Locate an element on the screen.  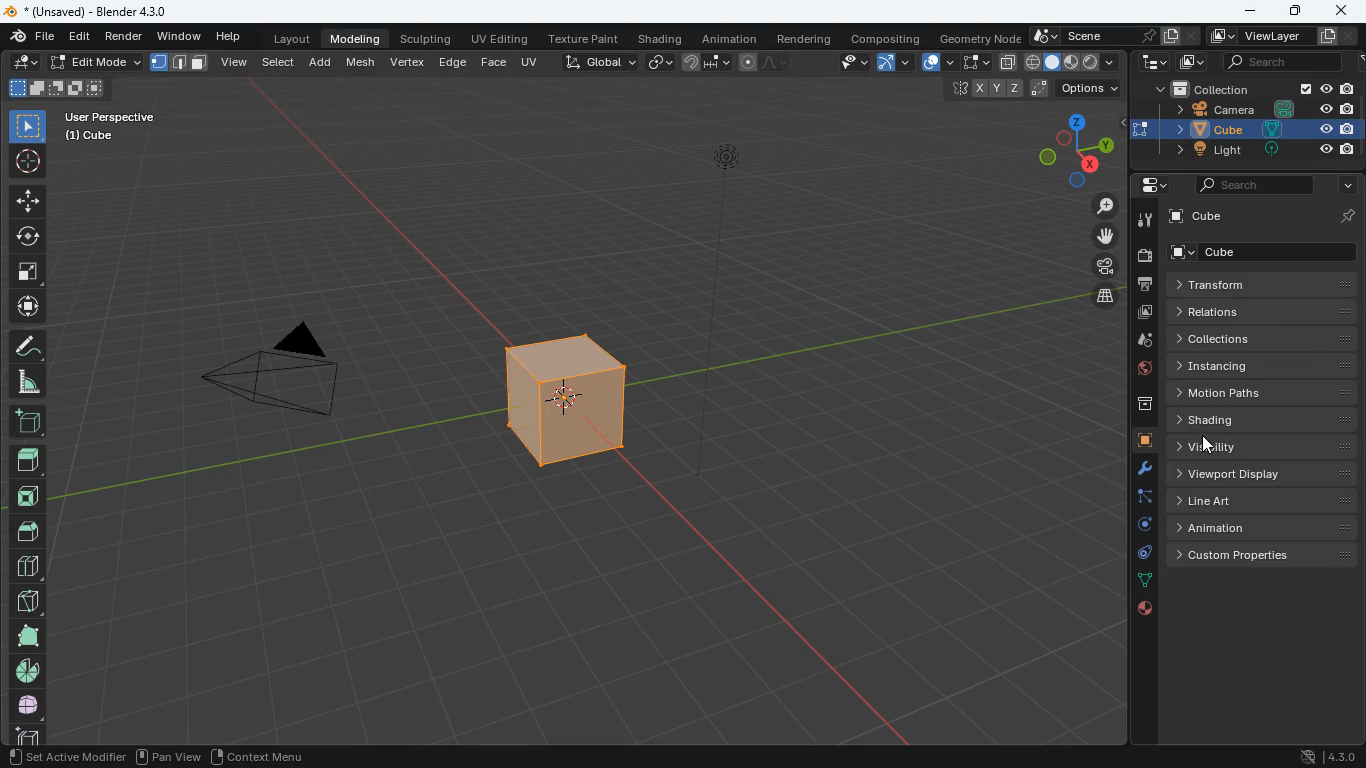
texture paint is located at coordinates (582, 39).